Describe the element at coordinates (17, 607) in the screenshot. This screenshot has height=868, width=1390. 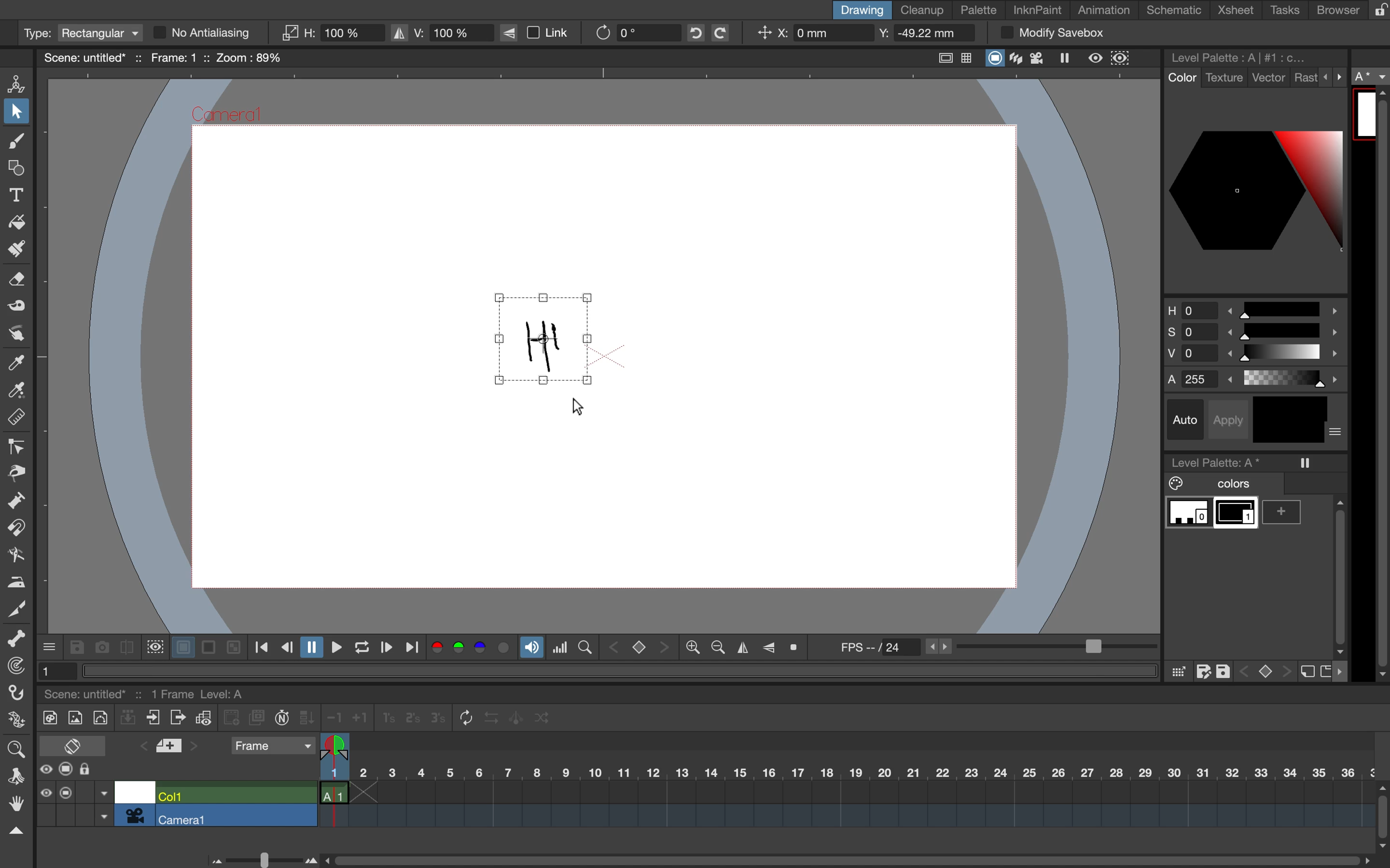
I see `cutter tool` at that location.